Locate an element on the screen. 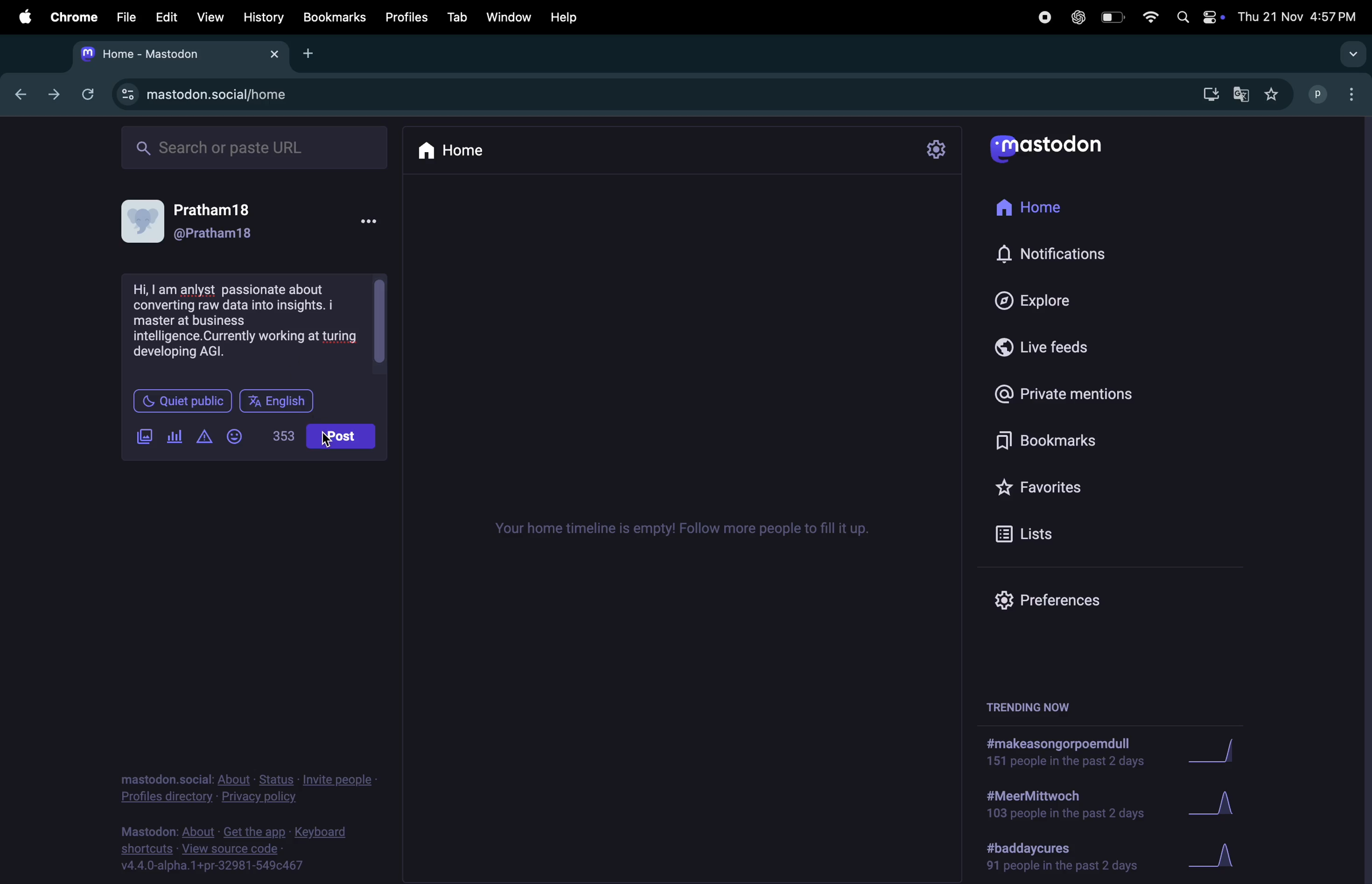 This screenshot has height=884, width=1372. private mentions is located at coordinates (1066, 397).